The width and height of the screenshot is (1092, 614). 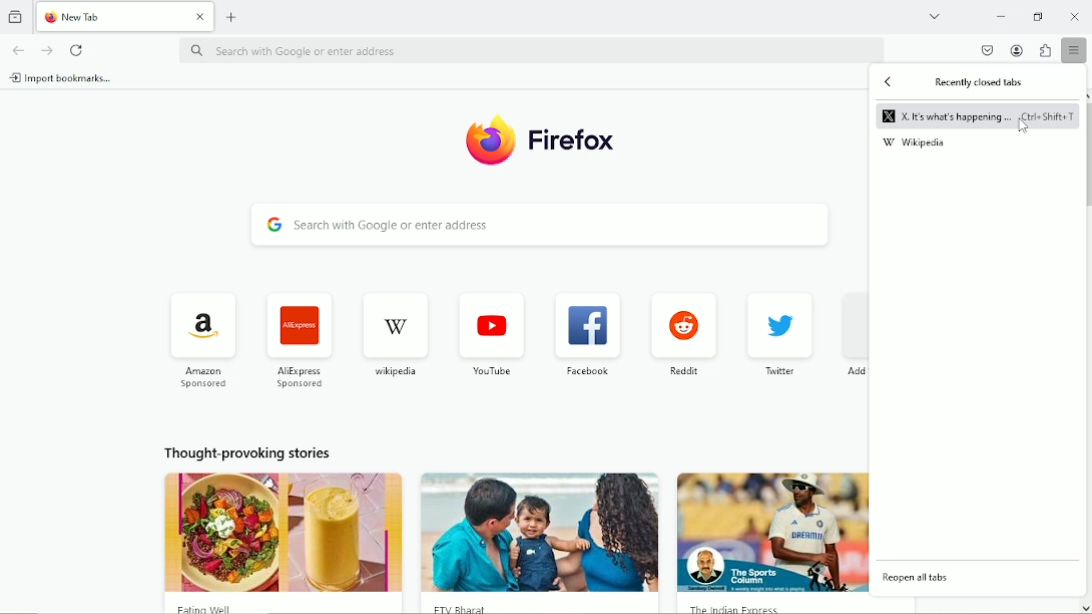 I want to click on image, so click(x=280, y=531).